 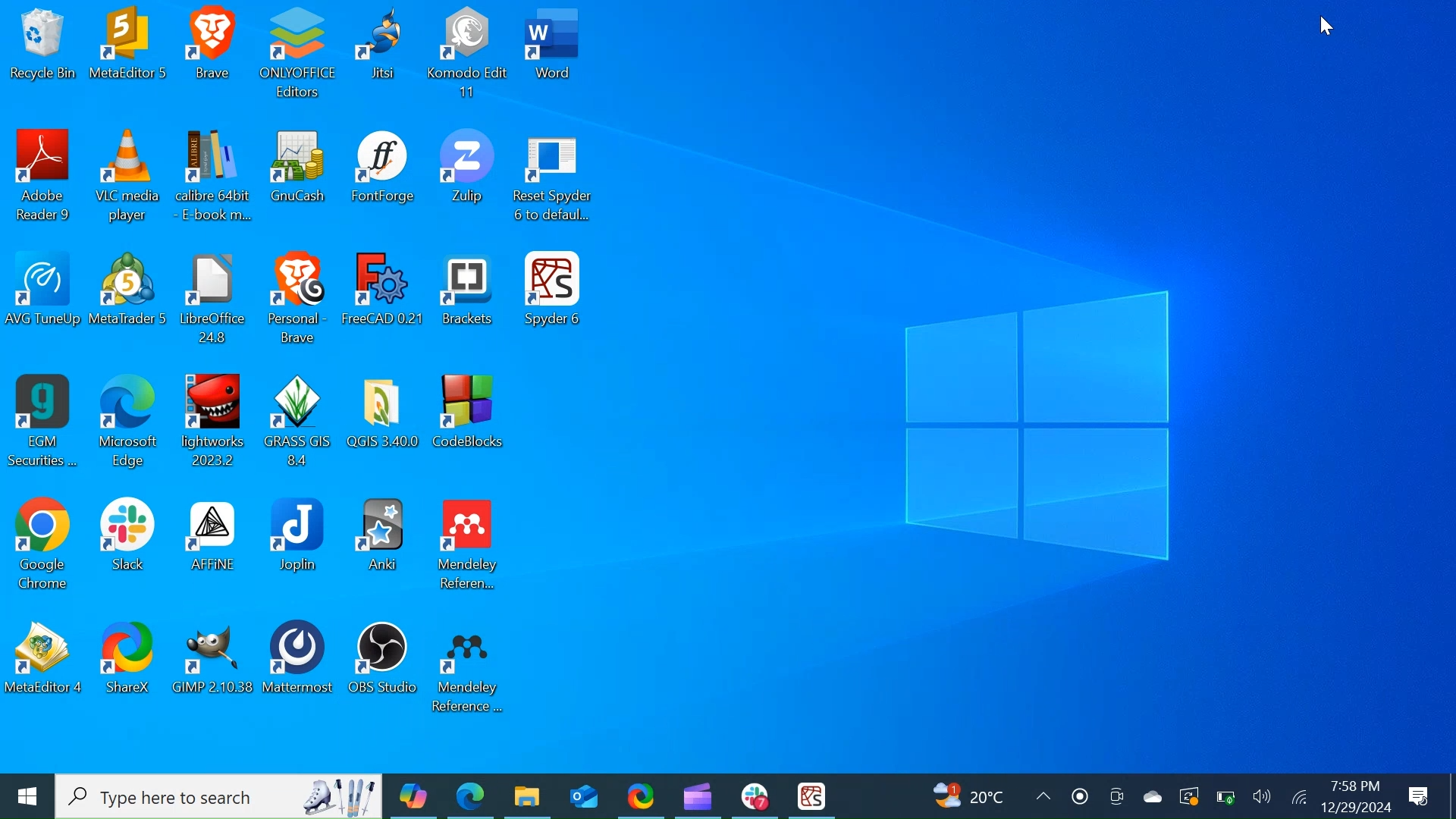 What do you see at coordinates (1419, 796) in the screenshot?
I see `Notification` at bounding box center [1419, 796].